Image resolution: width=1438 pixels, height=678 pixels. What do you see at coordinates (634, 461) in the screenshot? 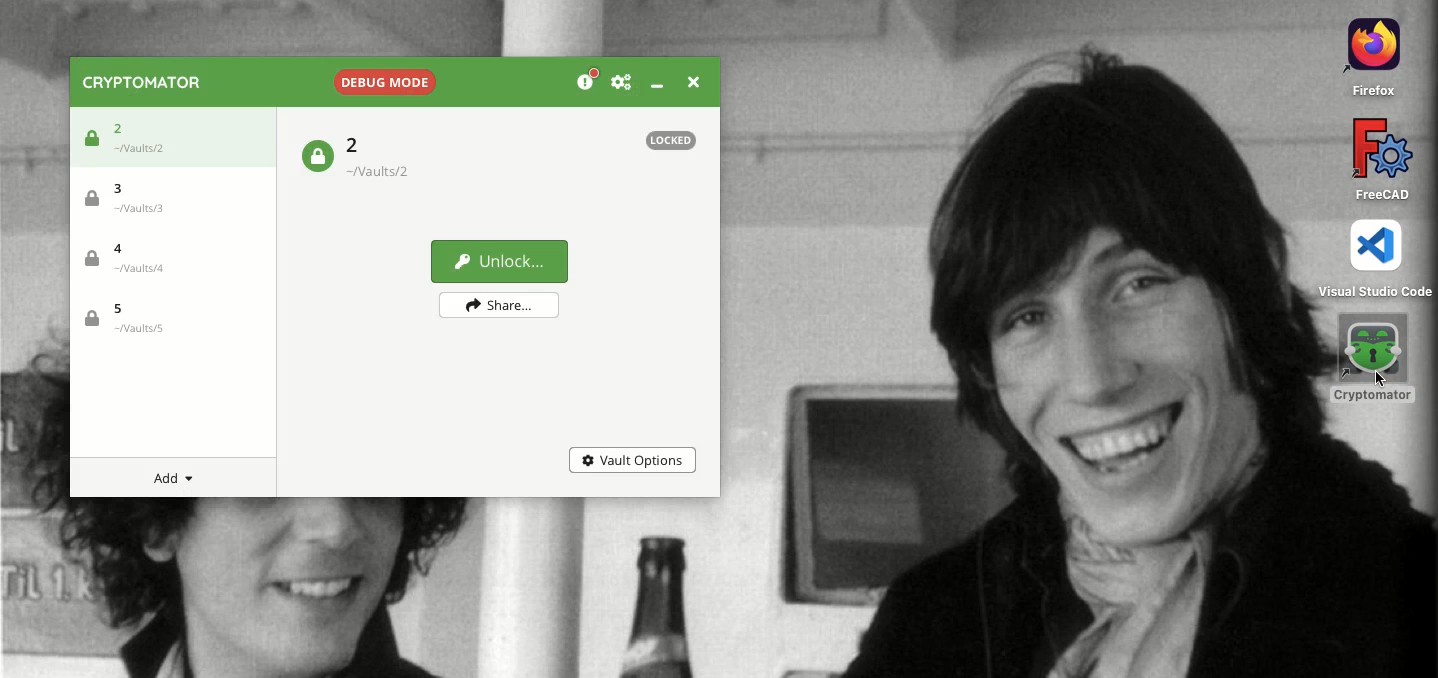
I see `Vault options` at bounding box center [634, 461].